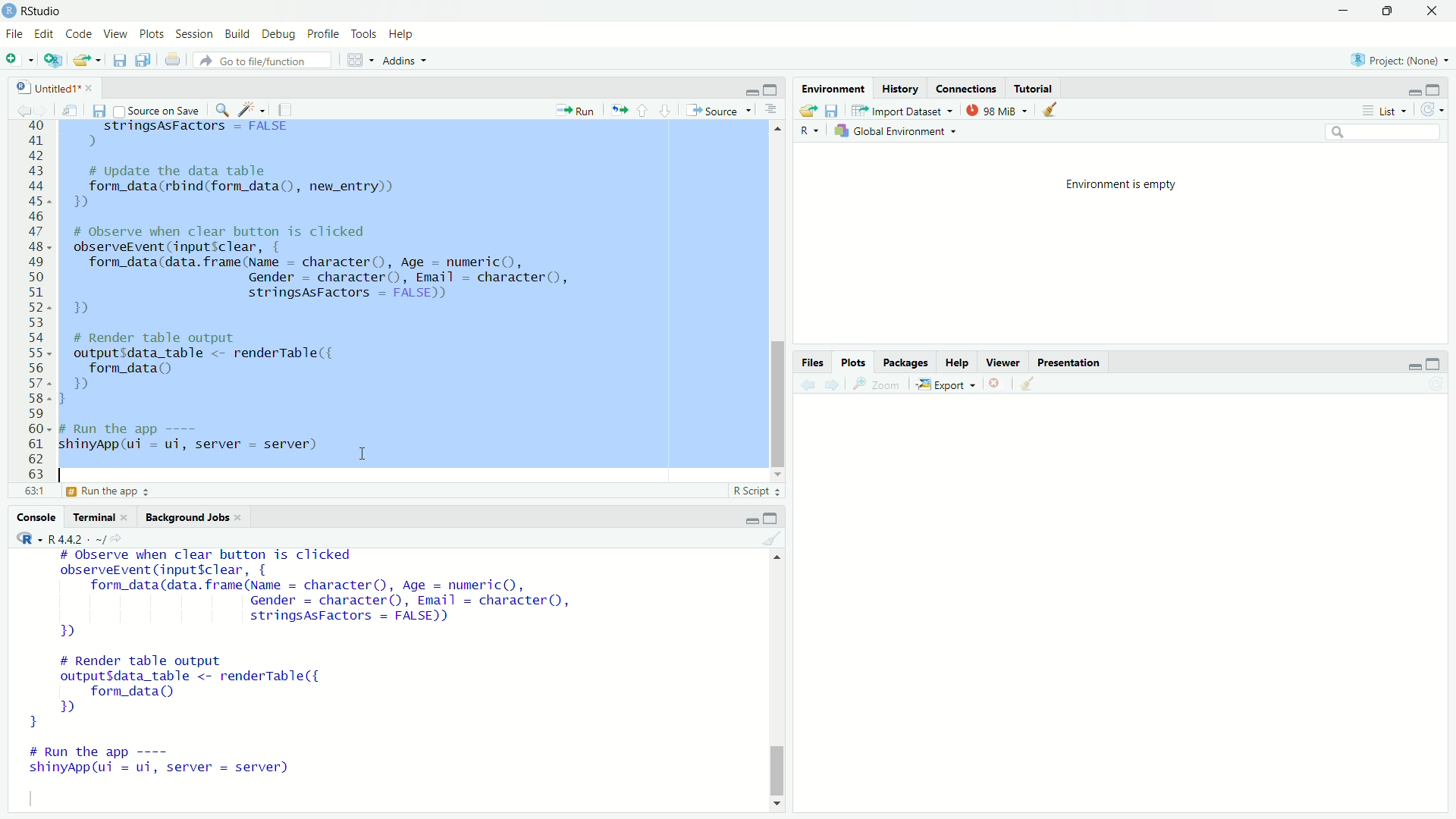 The image size is (1456, 819). I want to click on minimize, so click(750, 518).